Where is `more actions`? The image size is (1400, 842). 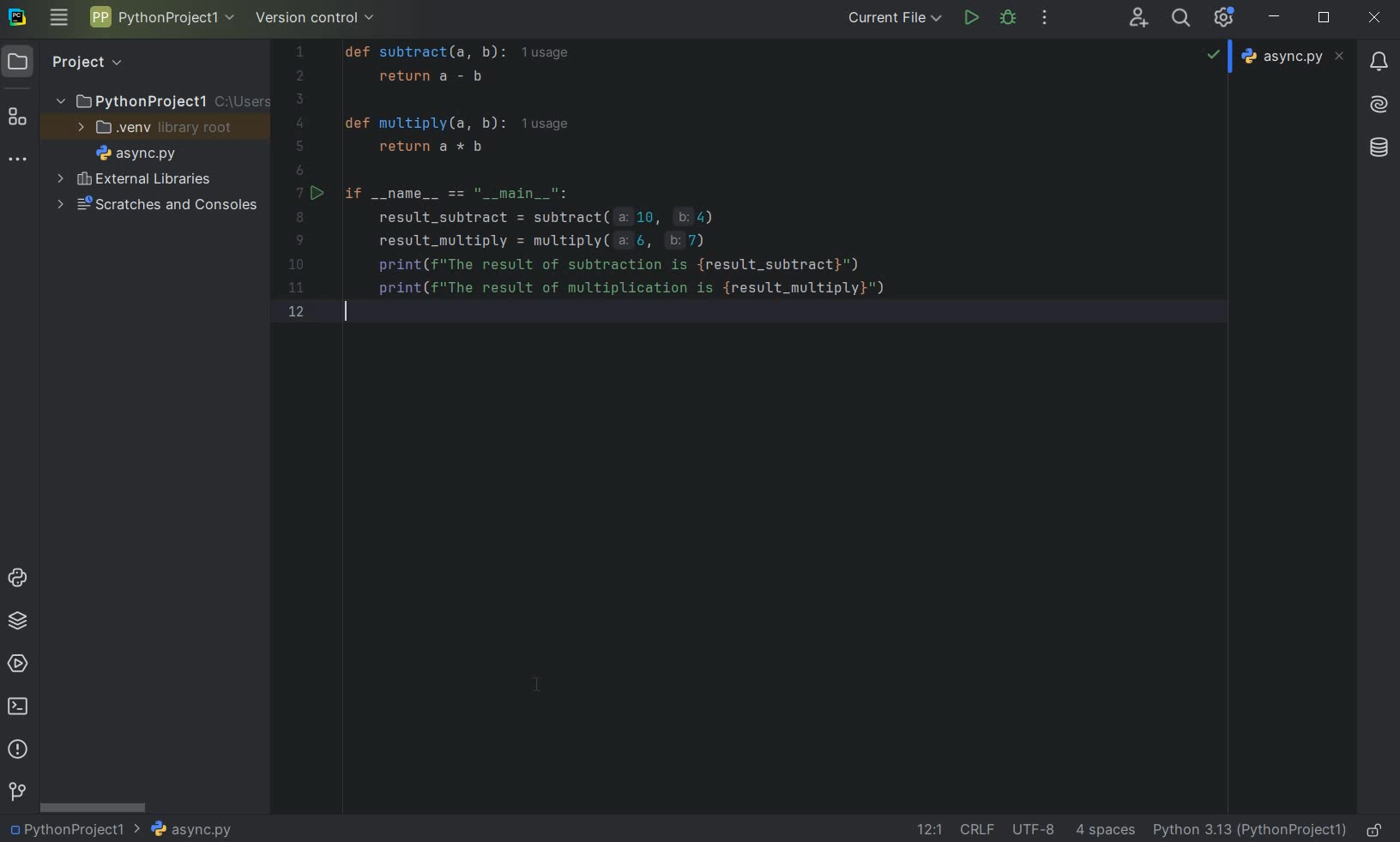
more actions is located at coordinates (1044, 20).